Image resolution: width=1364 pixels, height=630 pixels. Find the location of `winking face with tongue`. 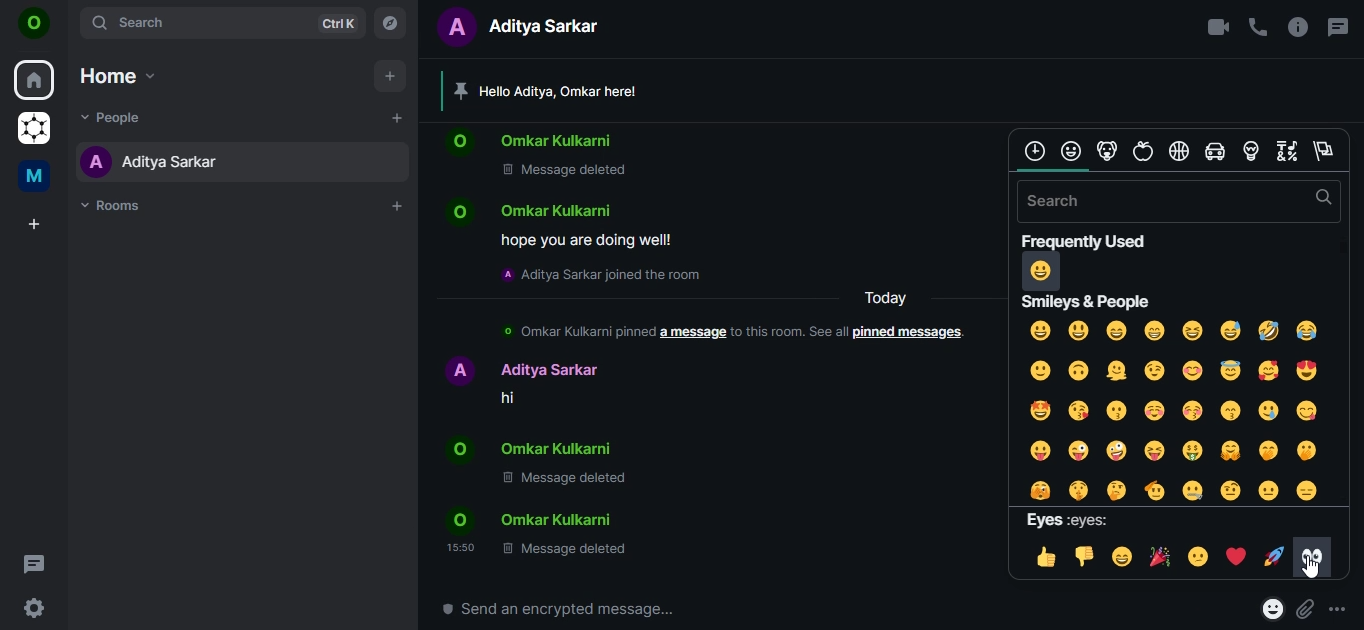

winking face with tongue is located at coordinates (1076, 450).